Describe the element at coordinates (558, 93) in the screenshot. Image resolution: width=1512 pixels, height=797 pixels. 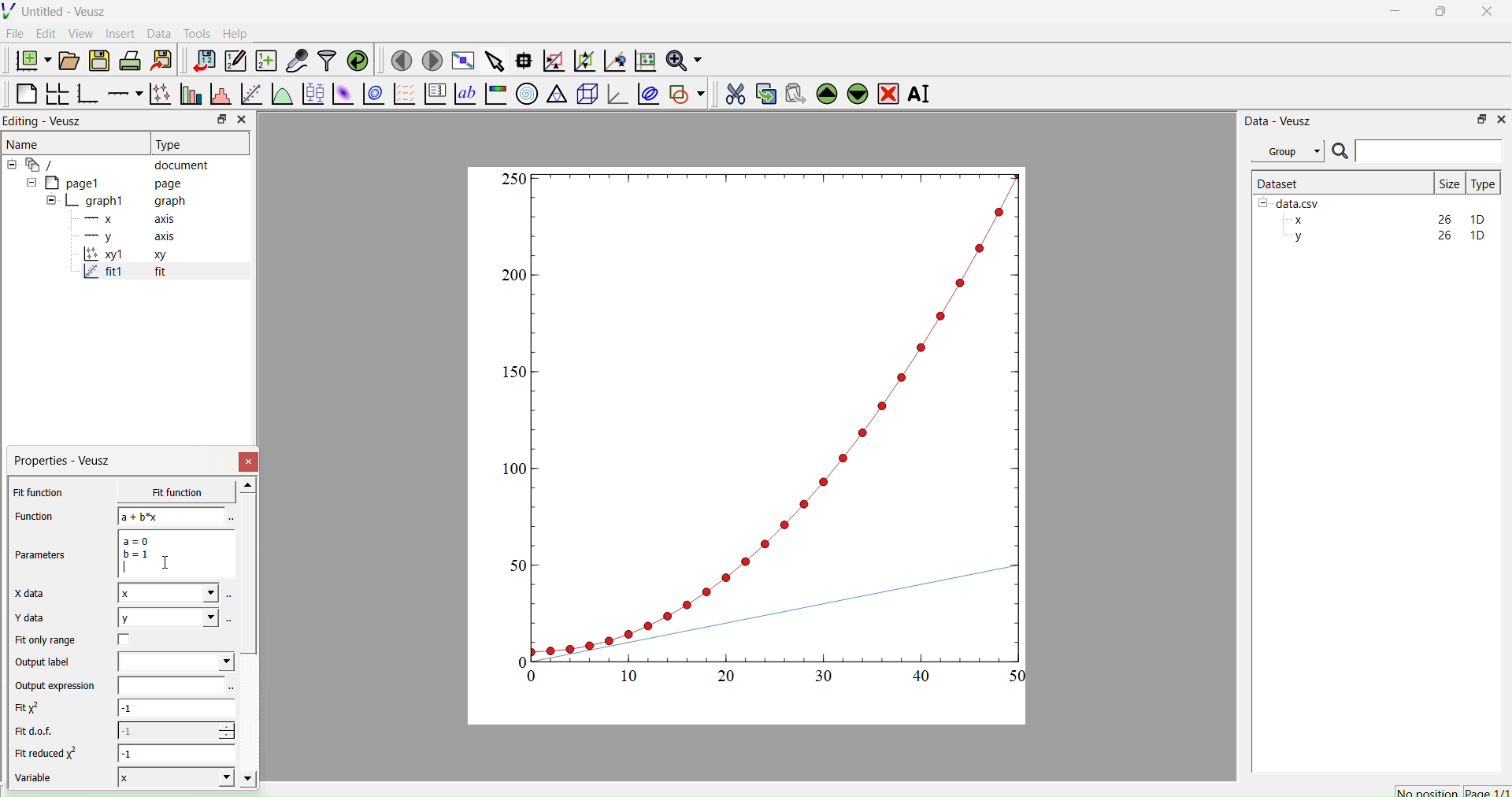
I see `Ternary graph` at that location.